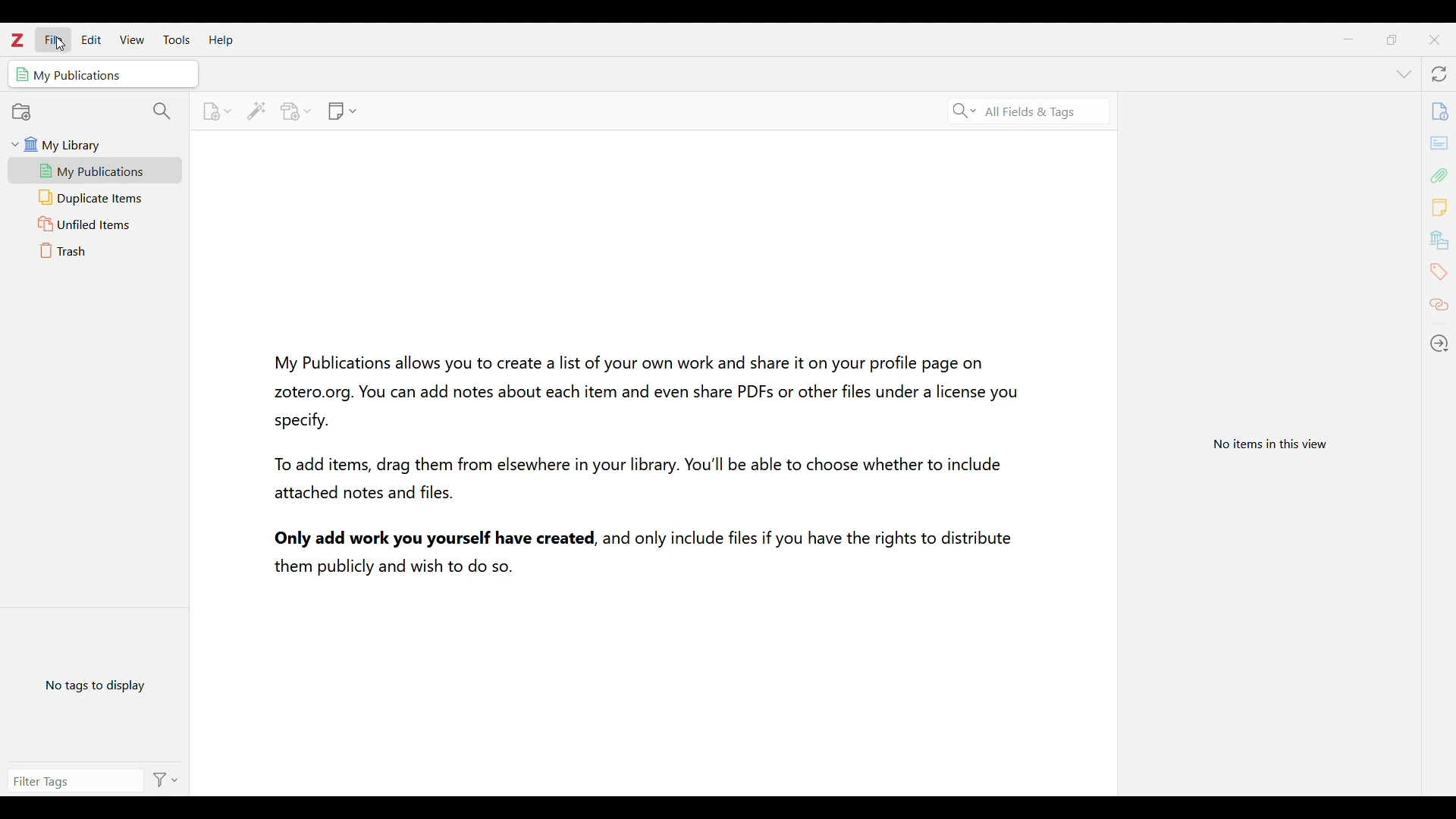  I want to click on No tags to display yet, so click(96, 683).